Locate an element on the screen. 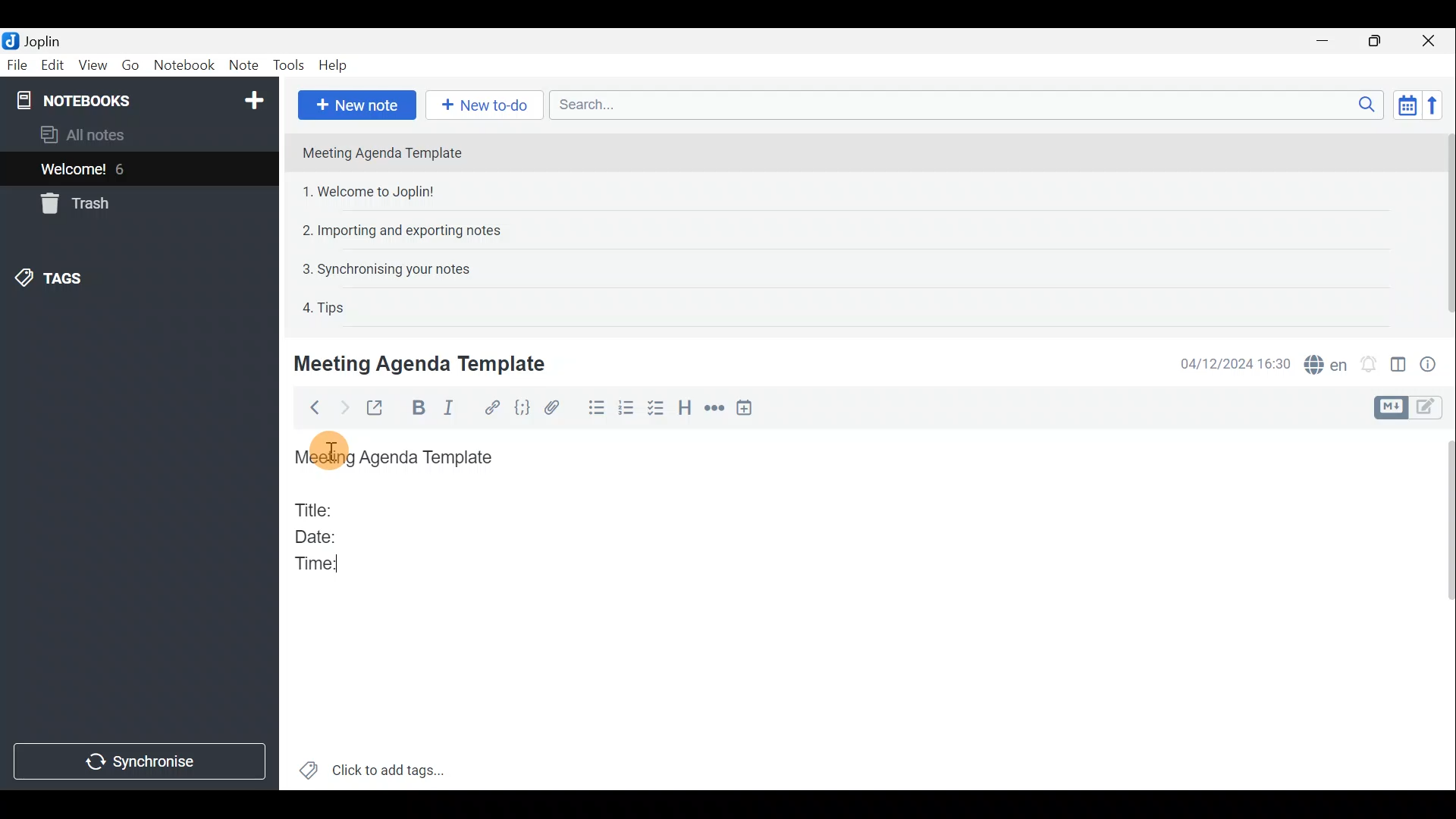  Horizontal rule is located at coordinates (717, 410).